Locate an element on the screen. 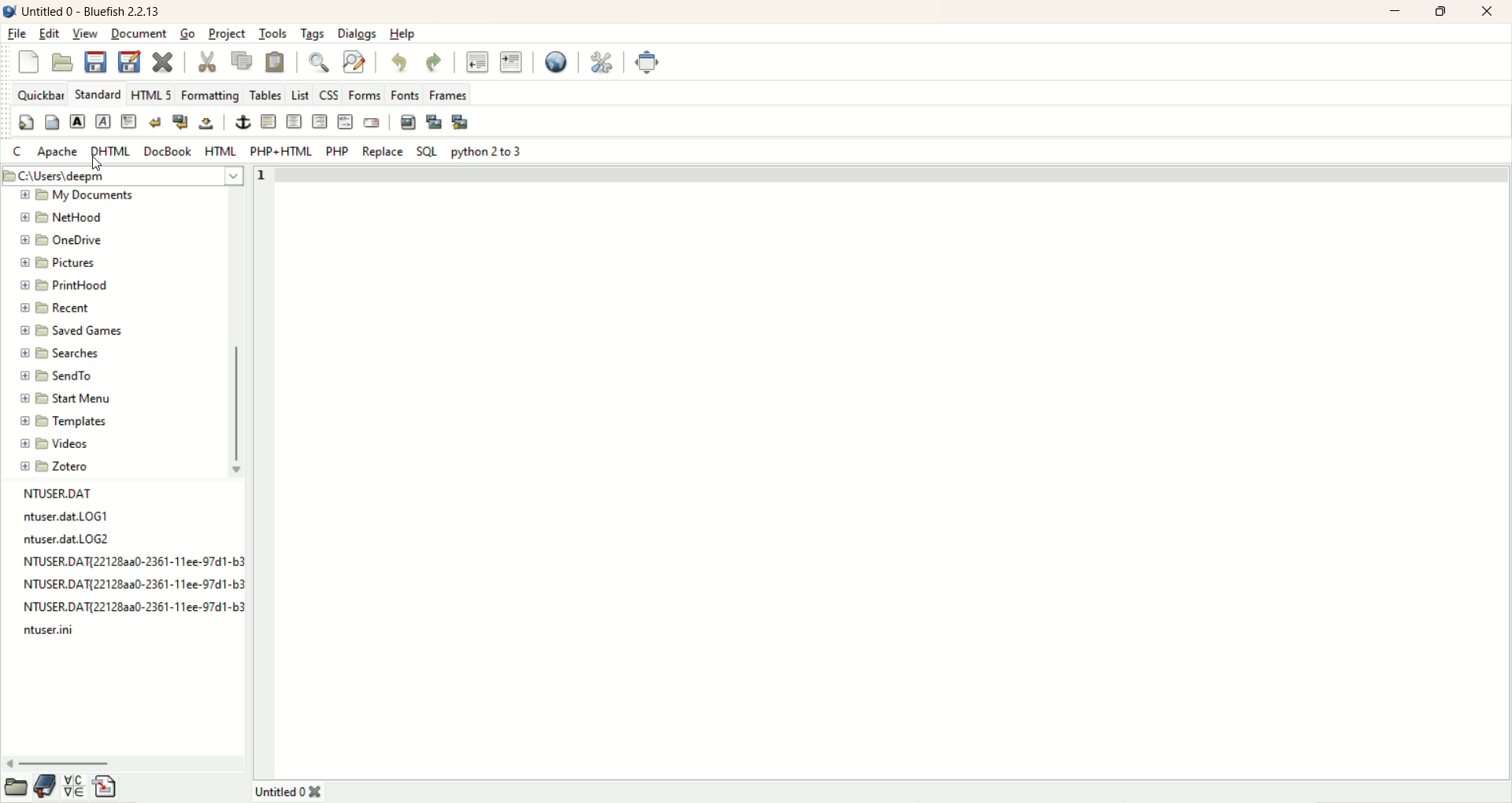 Image resolution: width=1512 pixels, height=803 pixels. PHP+HTML is located at coordinates (282, 153).